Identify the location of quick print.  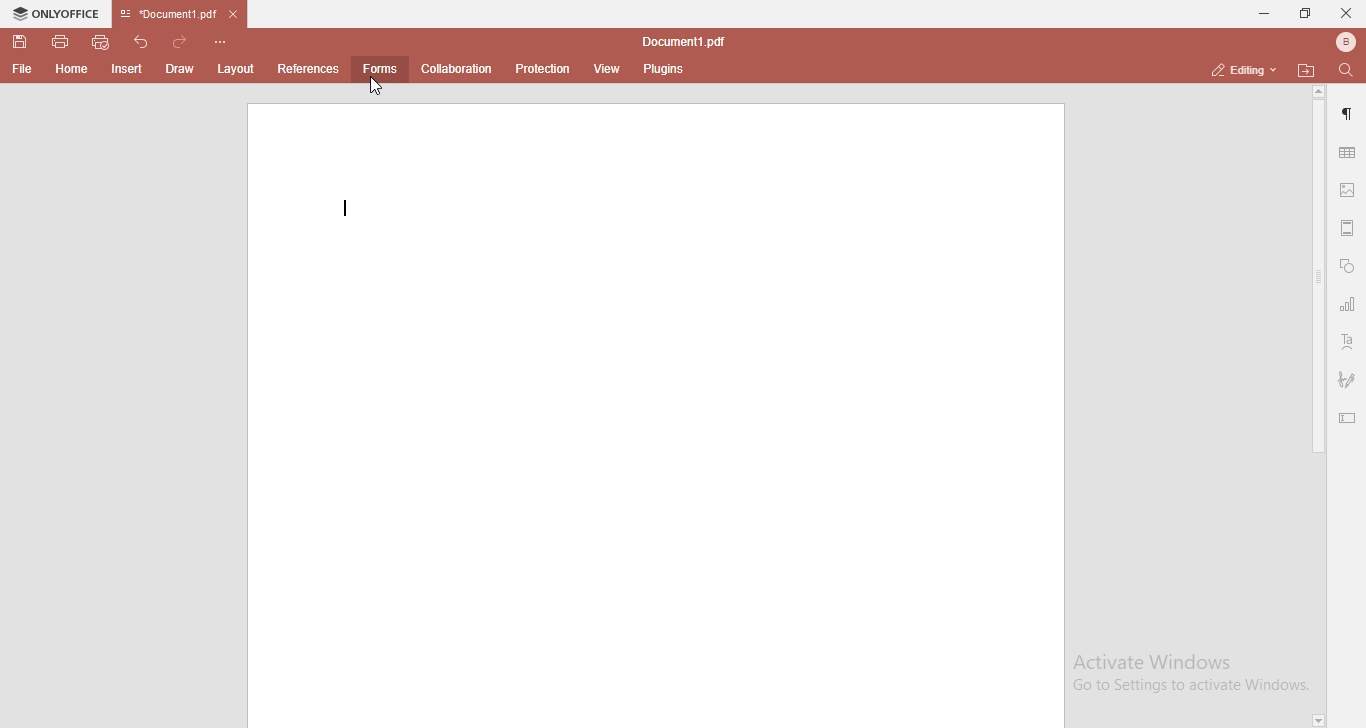
(102, 41).